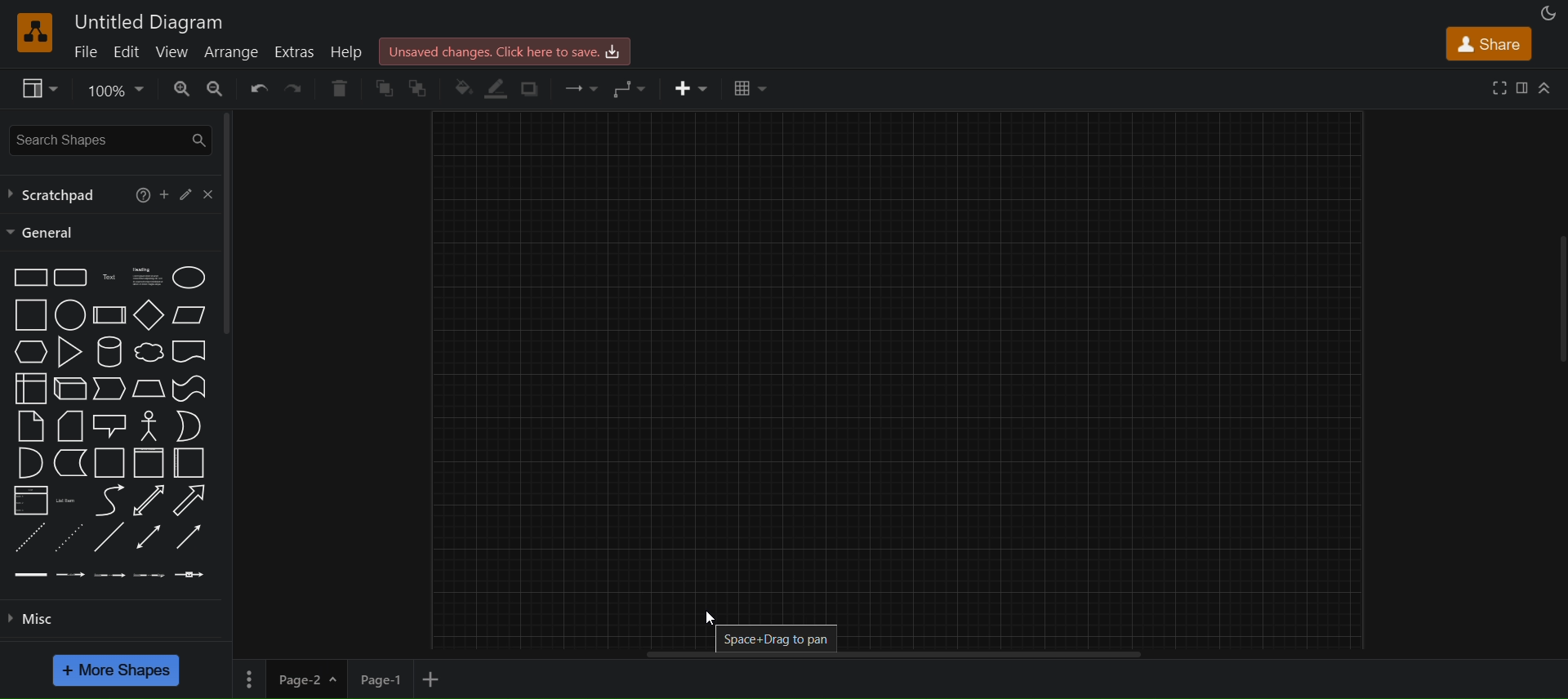 This screenshot has width=1568, height=699. Describe the element at coordinates (189, 388) in the screenshot. I see `tape` at that location.